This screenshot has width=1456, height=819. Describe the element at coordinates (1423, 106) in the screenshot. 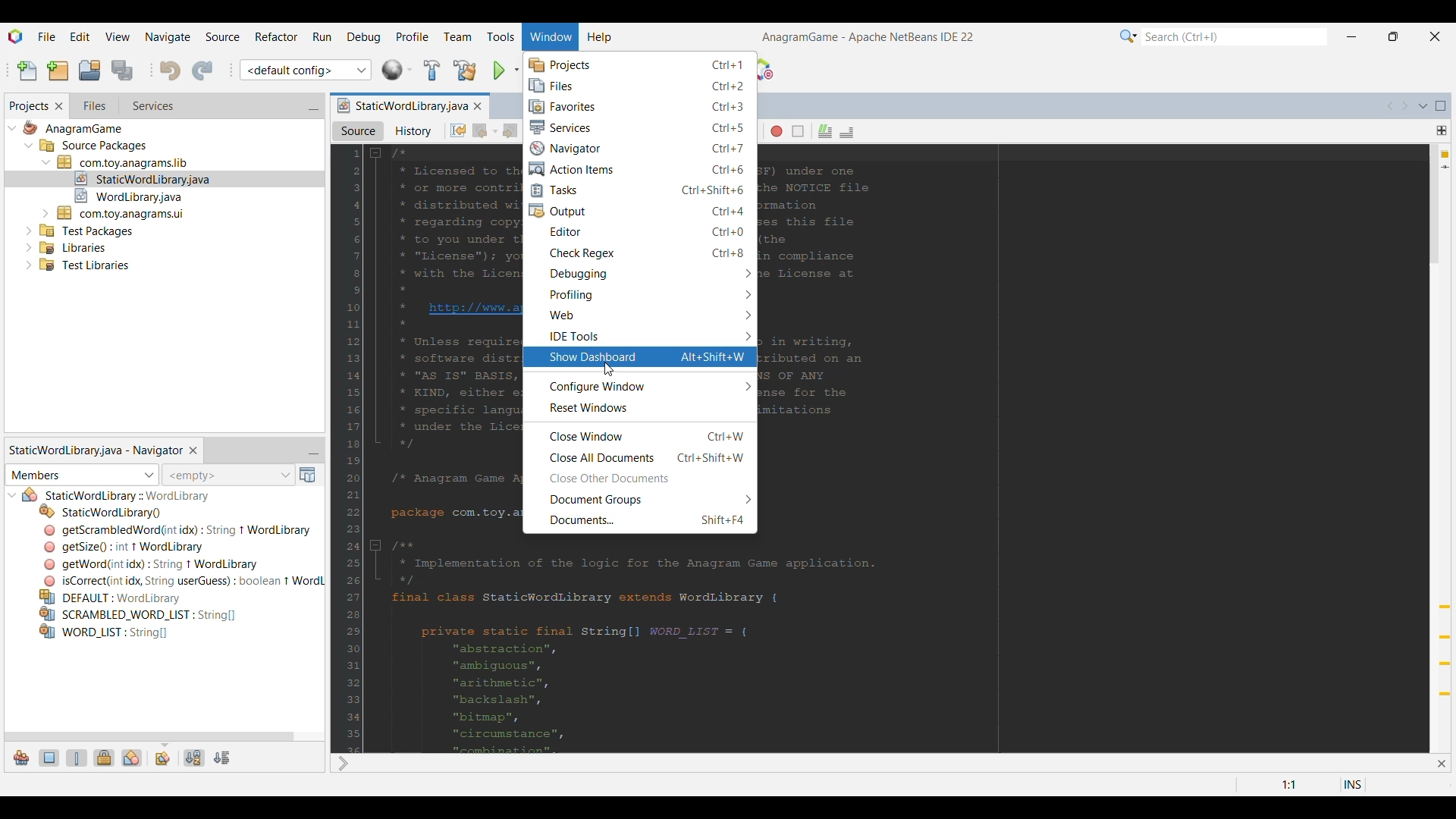

I see `Show open documents list` at that location.